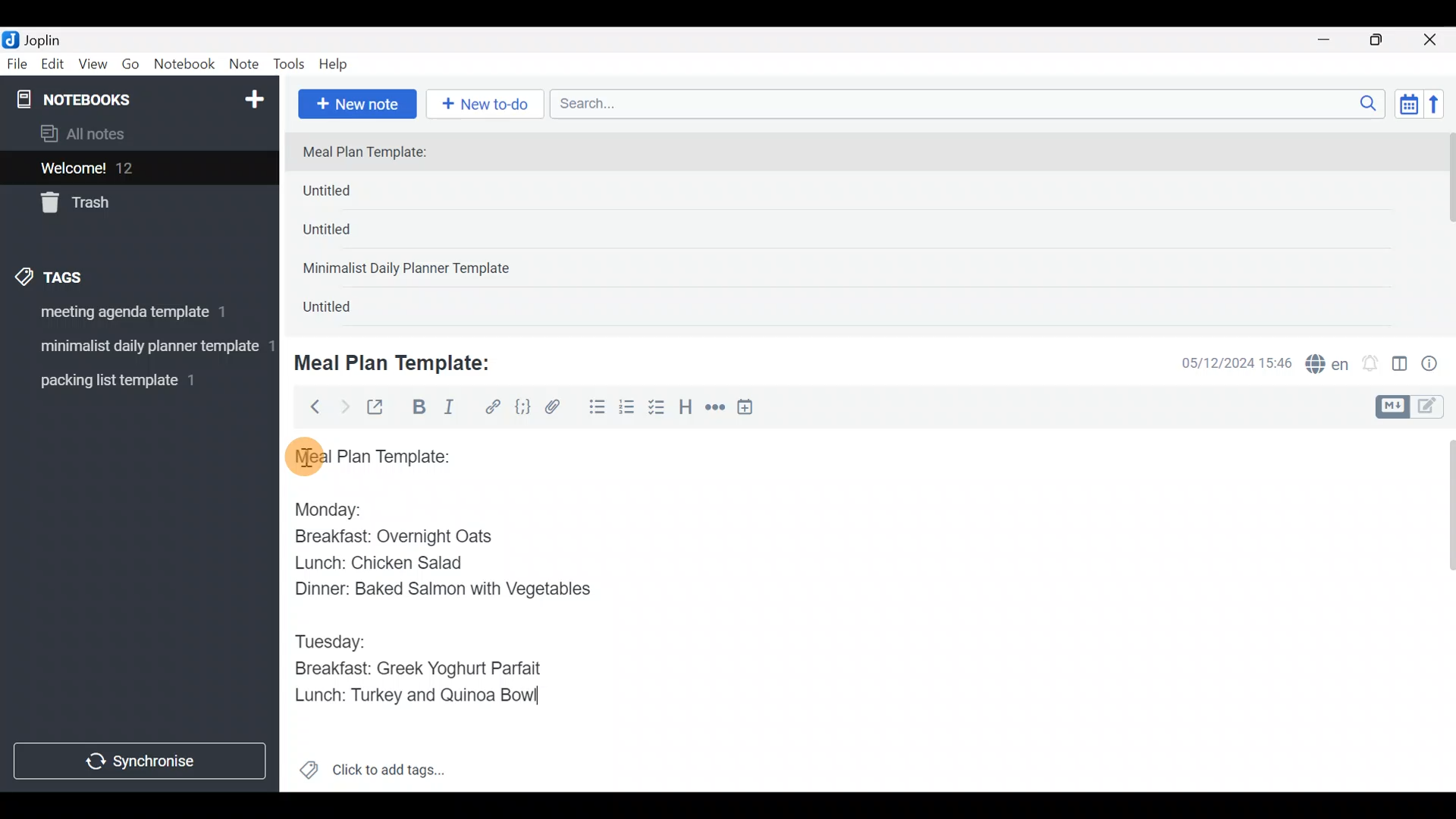 This screenshot has width=1456, height=819. I want to click on Tuesday:, so click(330, 642).